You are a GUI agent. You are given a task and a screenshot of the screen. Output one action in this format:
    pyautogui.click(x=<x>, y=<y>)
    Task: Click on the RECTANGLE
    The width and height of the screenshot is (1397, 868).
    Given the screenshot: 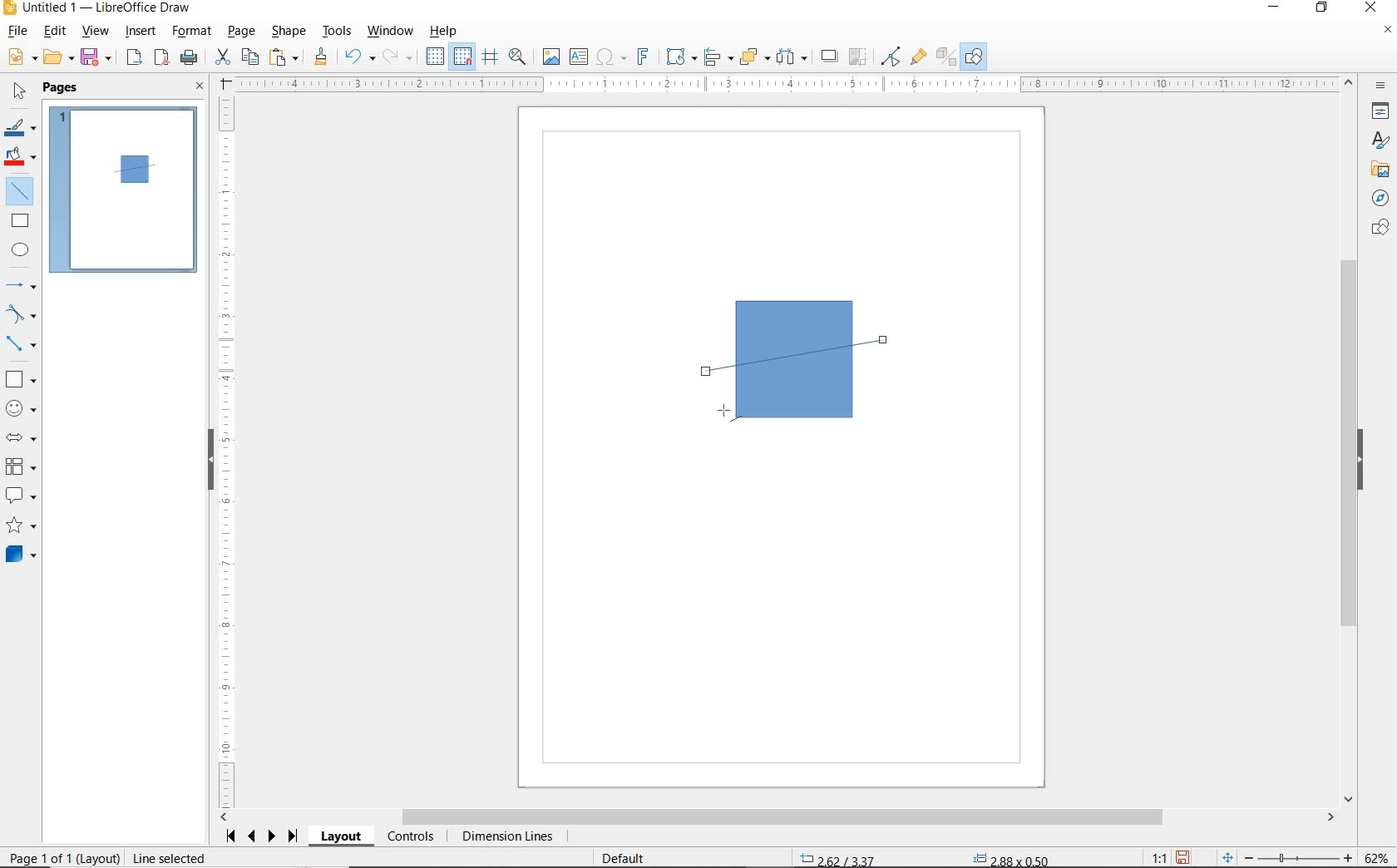 What is the action you would take?
    pyautogui.click(x=21, y=220)
    